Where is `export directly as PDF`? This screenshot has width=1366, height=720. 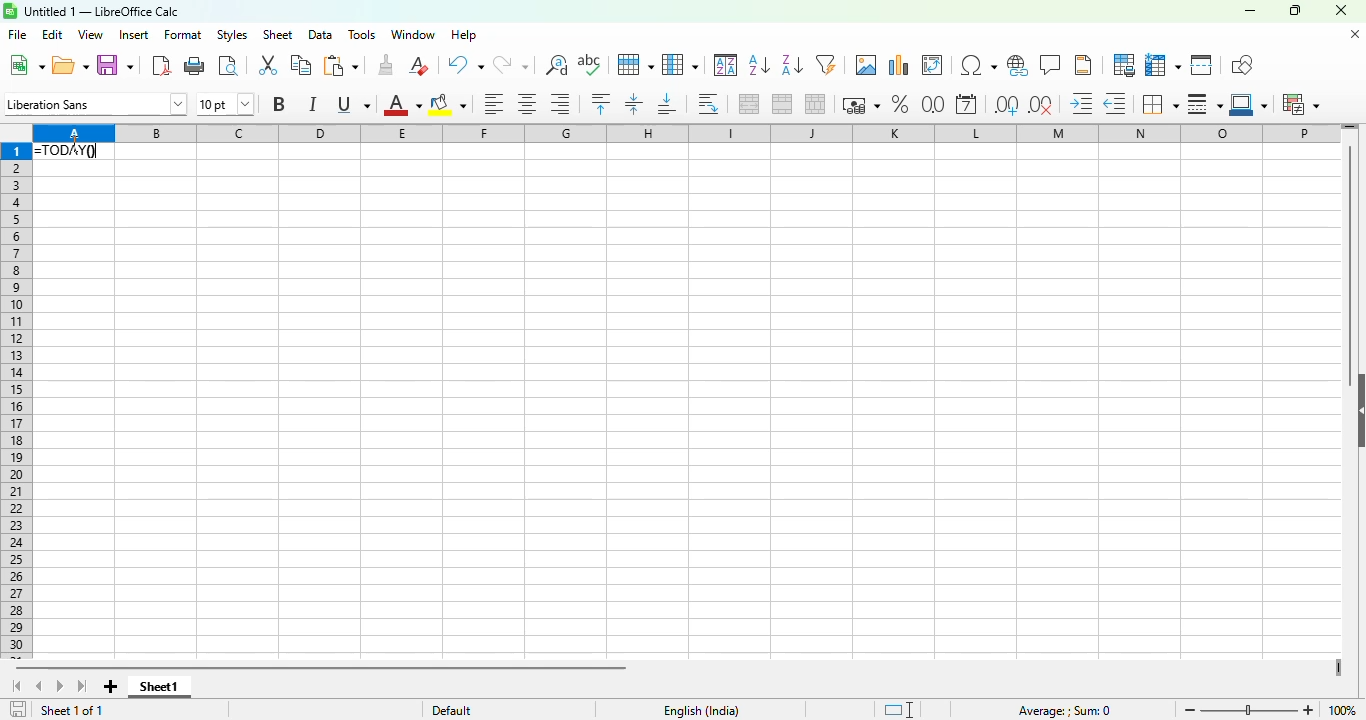 export directly as PDF is located at coordinates (161, 65).